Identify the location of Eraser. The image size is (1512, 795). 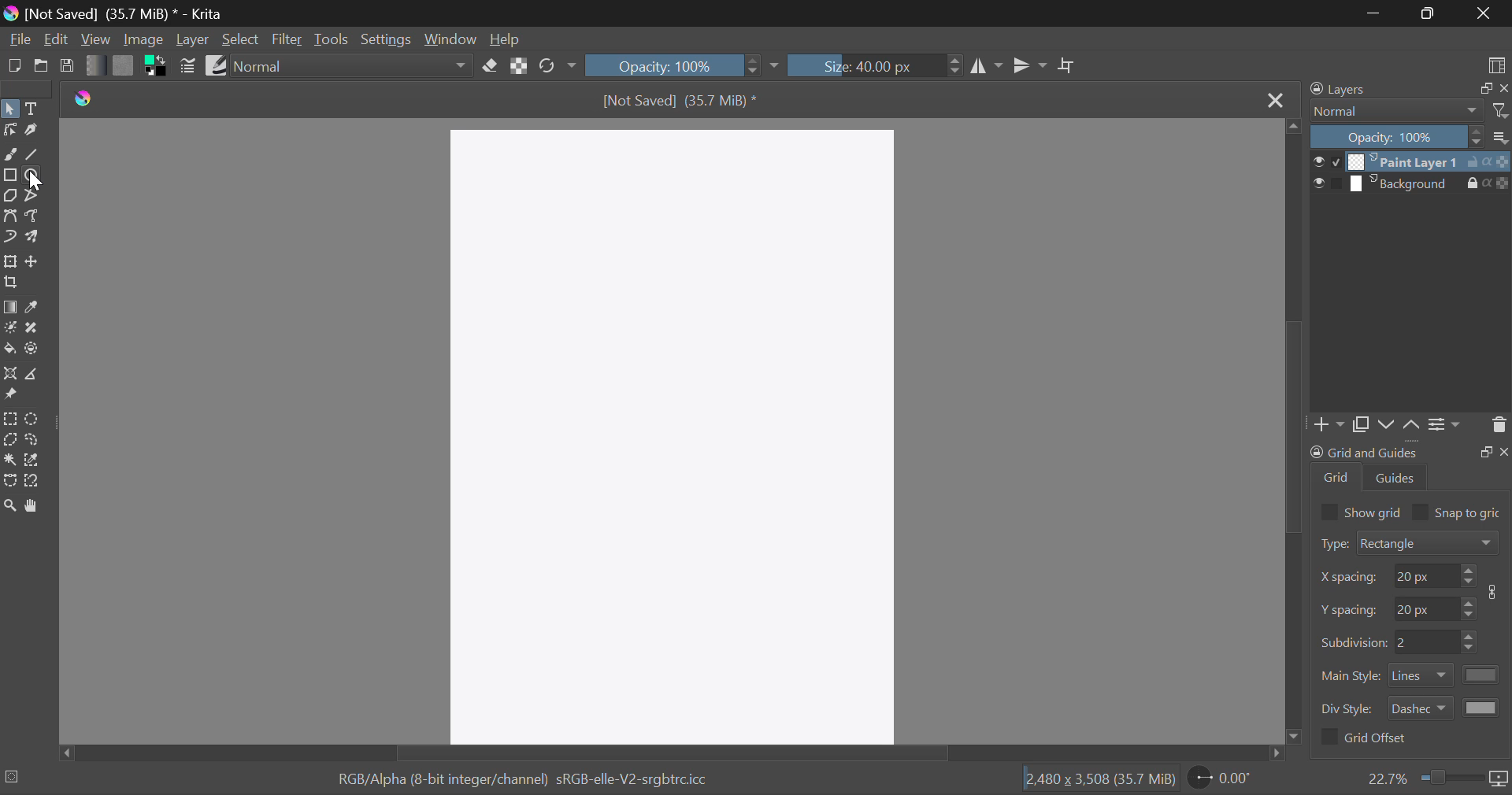
(491, 66).